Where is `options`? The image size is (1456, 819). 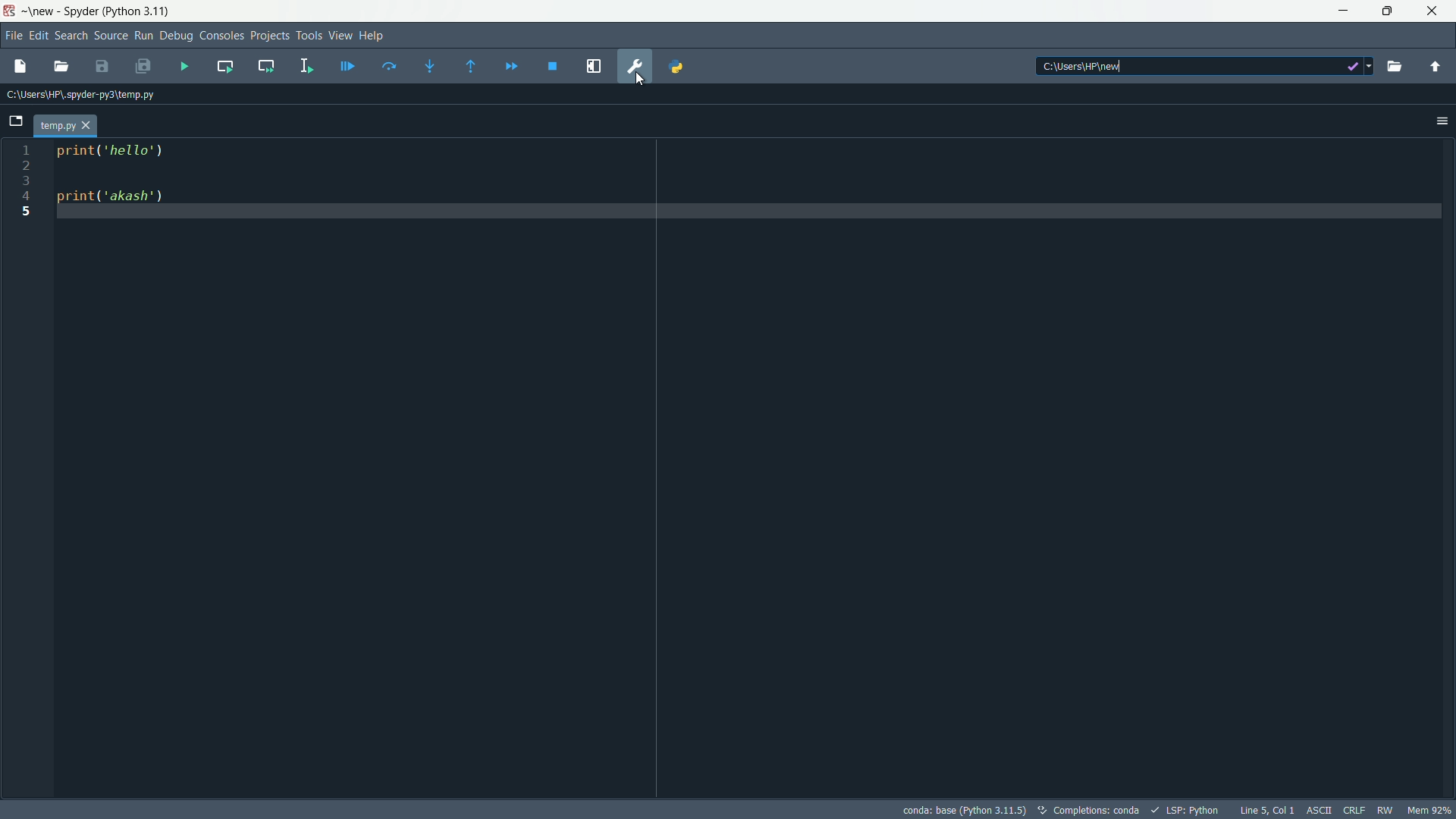
options is located at coordinates (1439, 120).